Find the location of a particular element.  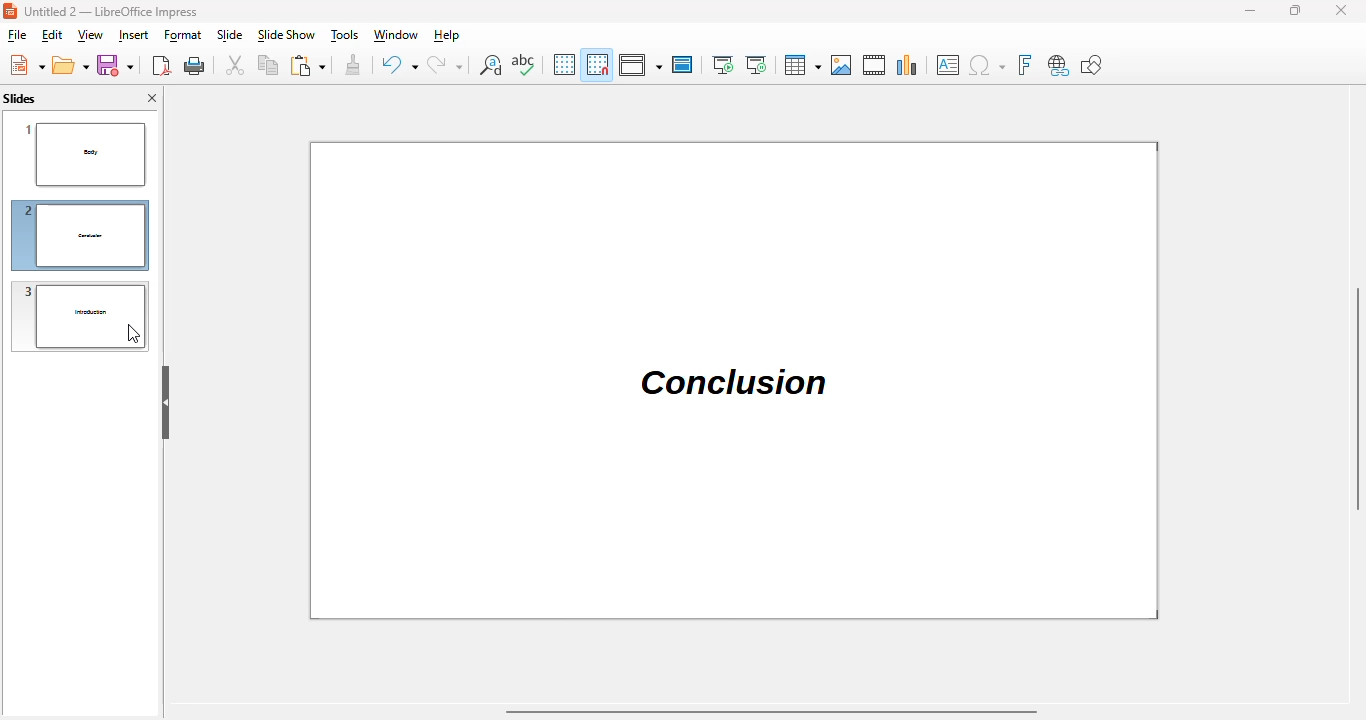

insert audio or video is located at coordinates (875, 65).